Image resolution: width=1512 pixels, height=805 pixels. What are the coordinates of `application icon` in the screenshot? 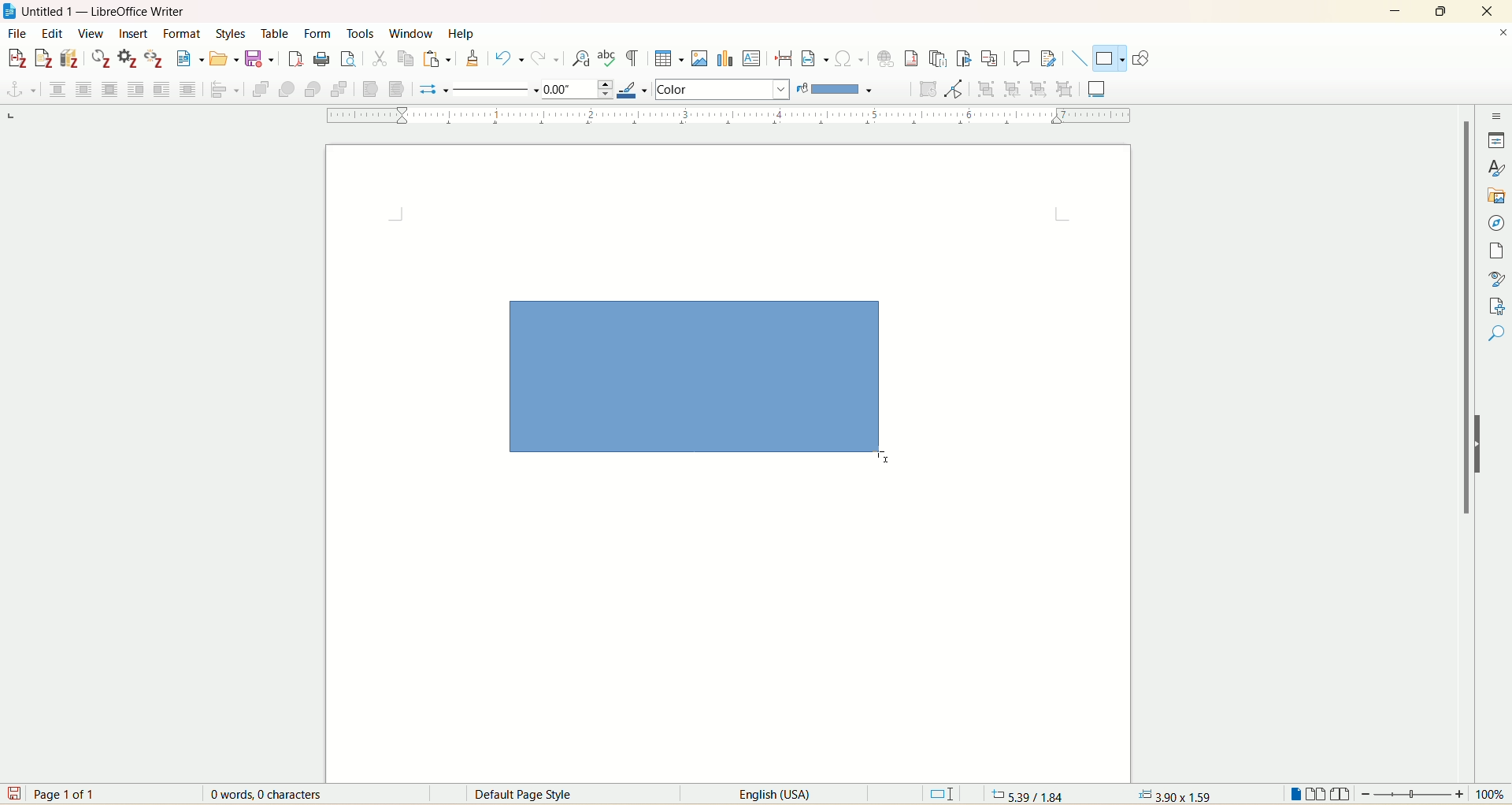 It's located at (10, 10).